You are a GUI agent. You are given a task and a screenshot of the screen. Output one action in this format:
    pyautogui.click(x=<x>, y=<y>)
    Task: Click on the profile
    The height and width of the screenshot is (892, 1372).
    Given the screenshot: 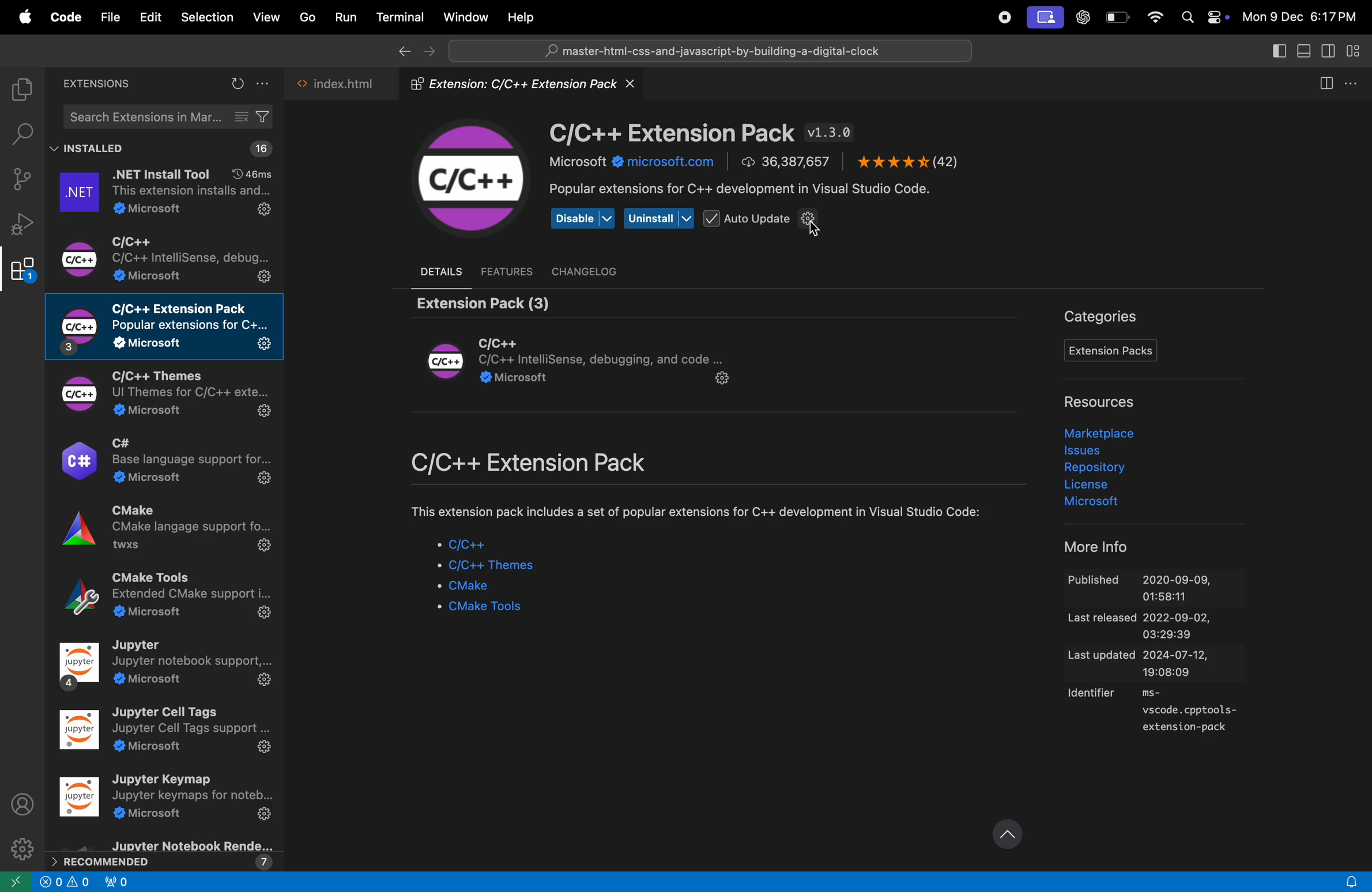 What is the action you would take?
    pyautogui.click(x=23, y=802)
    